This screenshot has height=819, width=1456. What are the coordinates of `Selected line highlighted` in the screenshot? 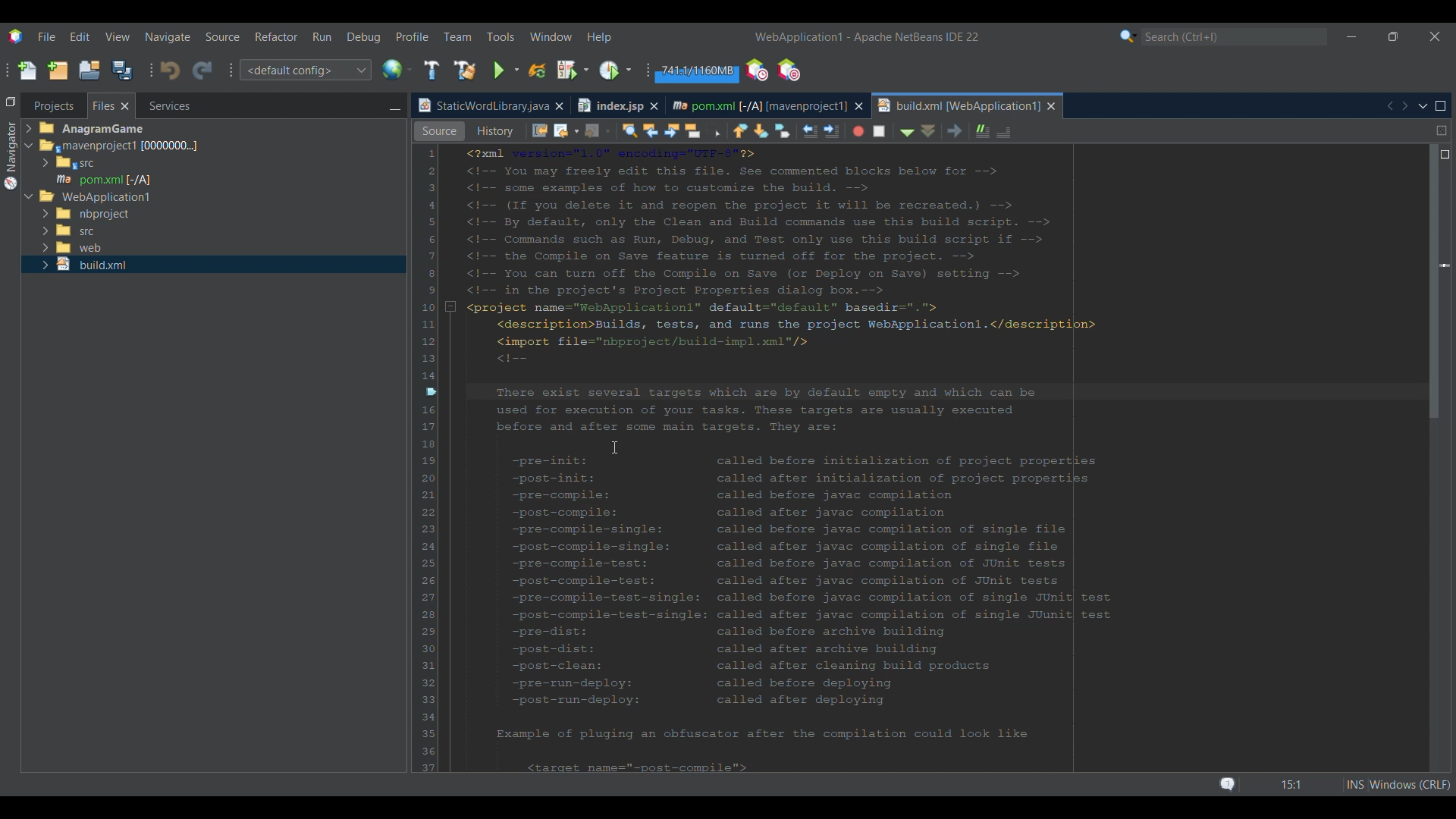 It's located at (1111, 391).